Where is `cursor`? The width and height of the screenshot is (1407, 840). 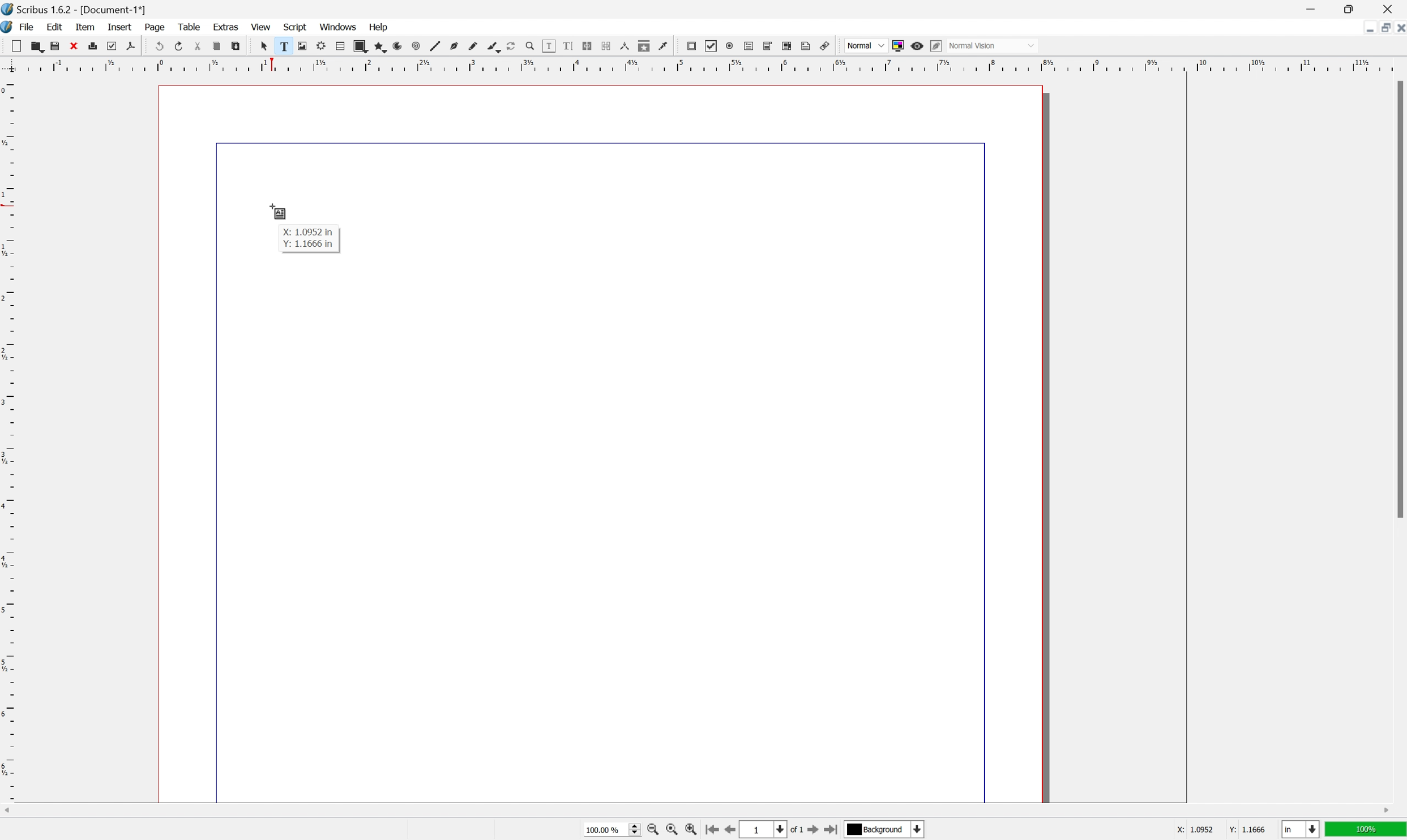
cursor is located at coordinates (263, 46).